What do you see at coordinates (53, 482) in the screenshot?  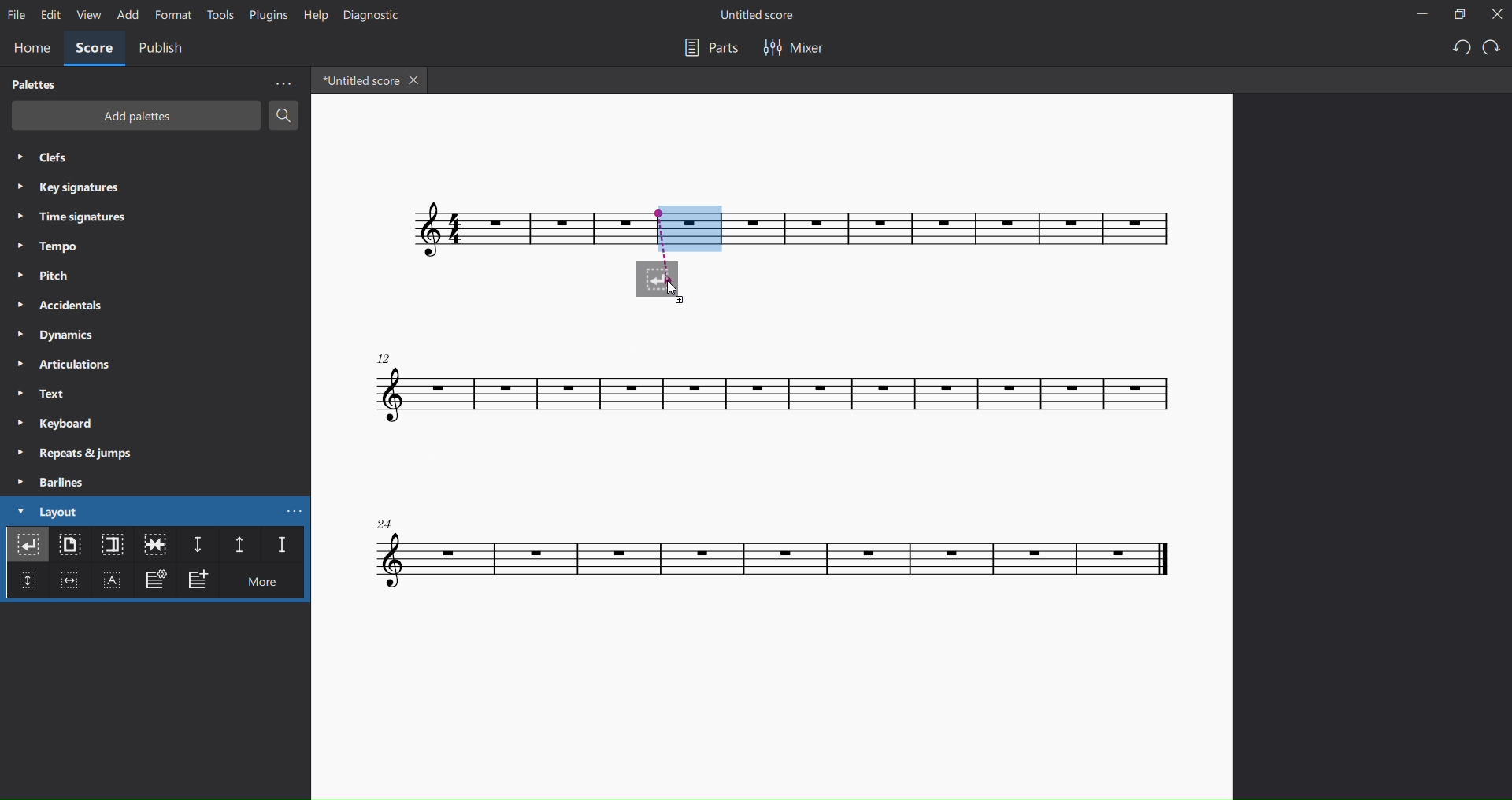 I see `barlines` at bounding box center [53, 482].